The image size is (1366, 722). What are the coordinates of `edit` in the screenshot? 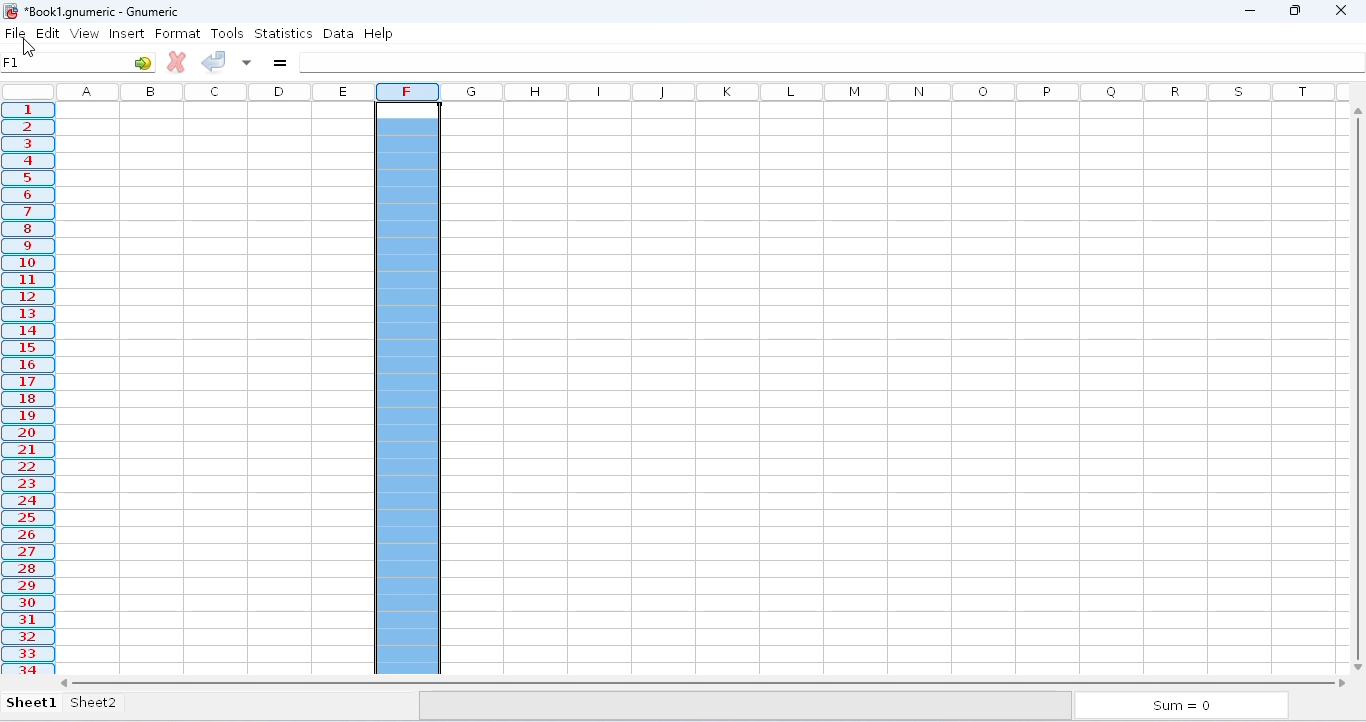 It's located at (51, 32).